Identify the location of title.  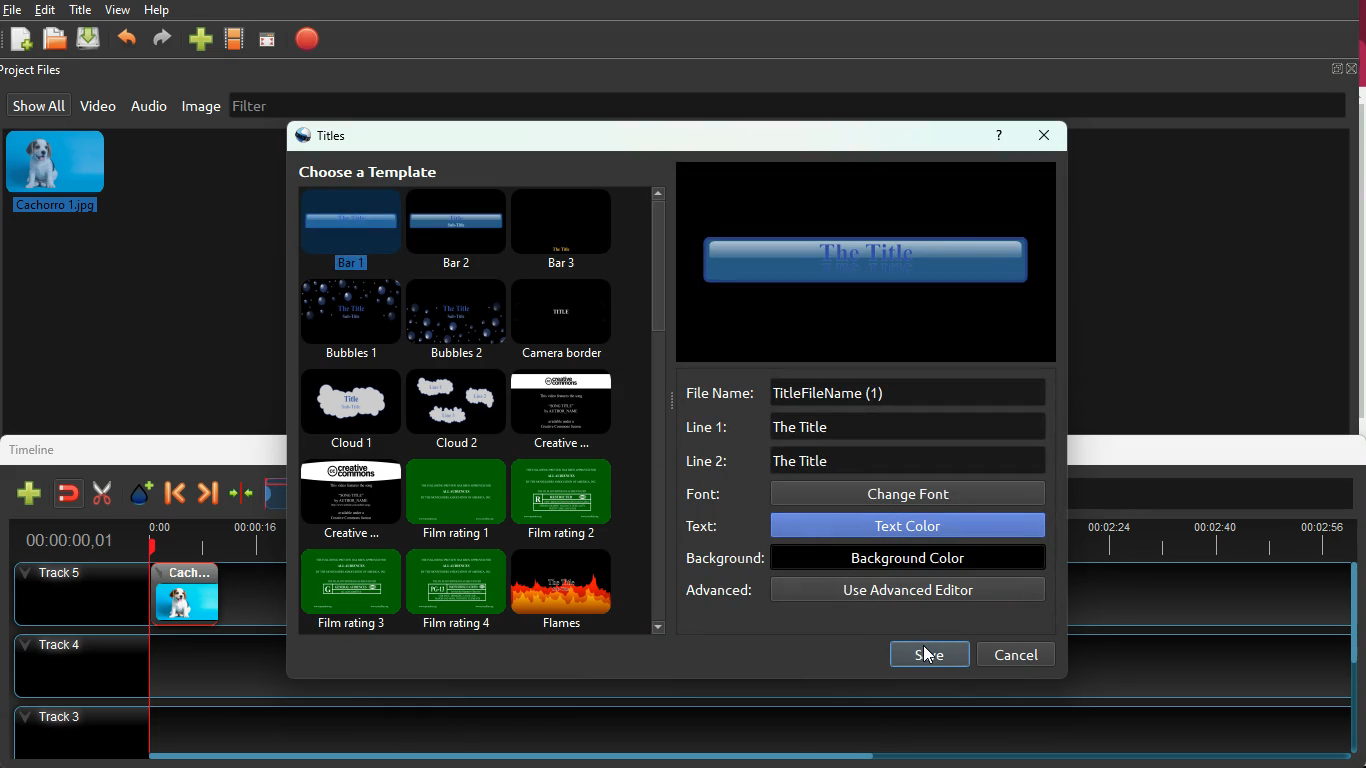
(83, 9).